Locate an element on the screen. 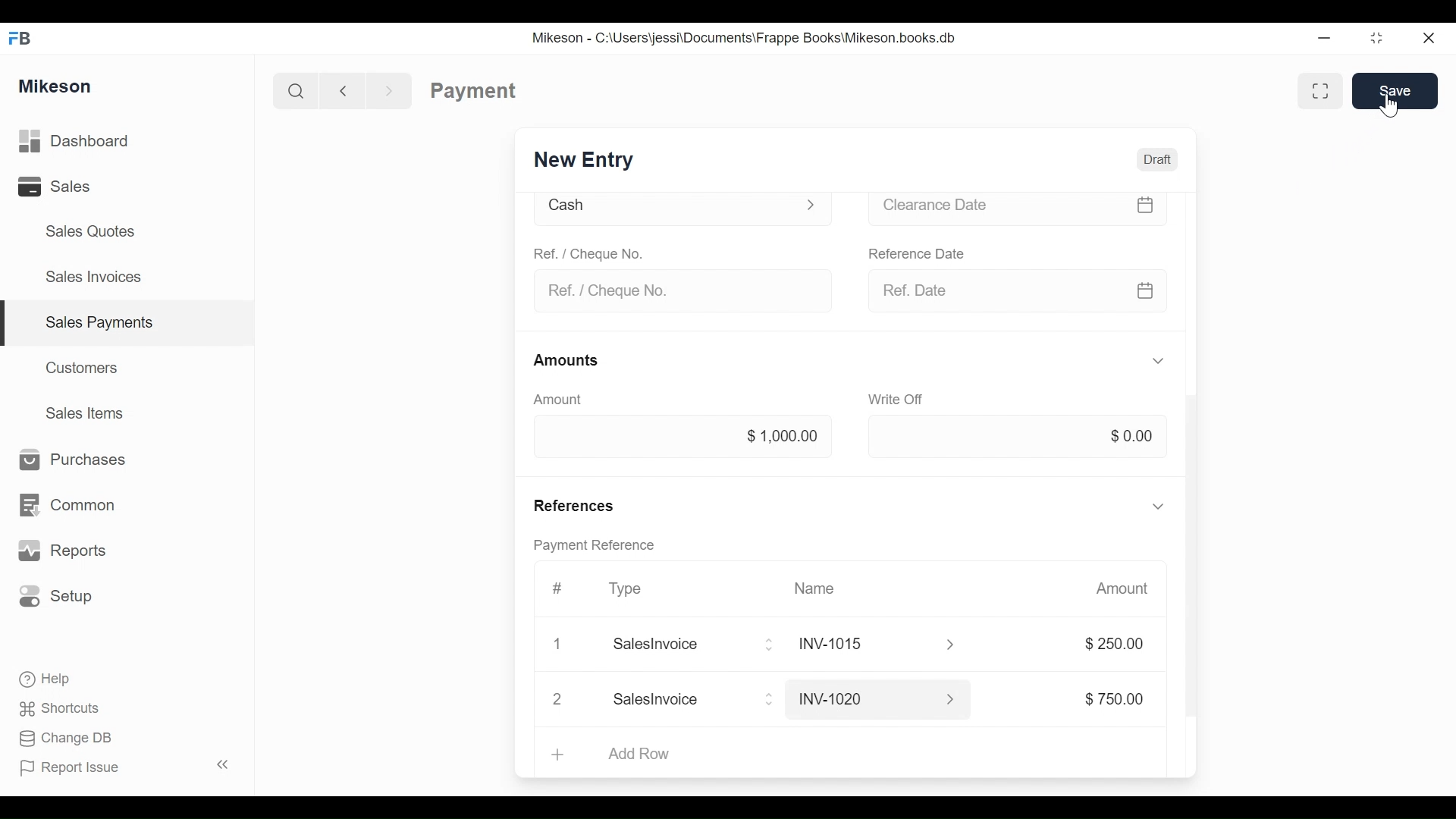  Hashtag is located at coordinates (557, 590).